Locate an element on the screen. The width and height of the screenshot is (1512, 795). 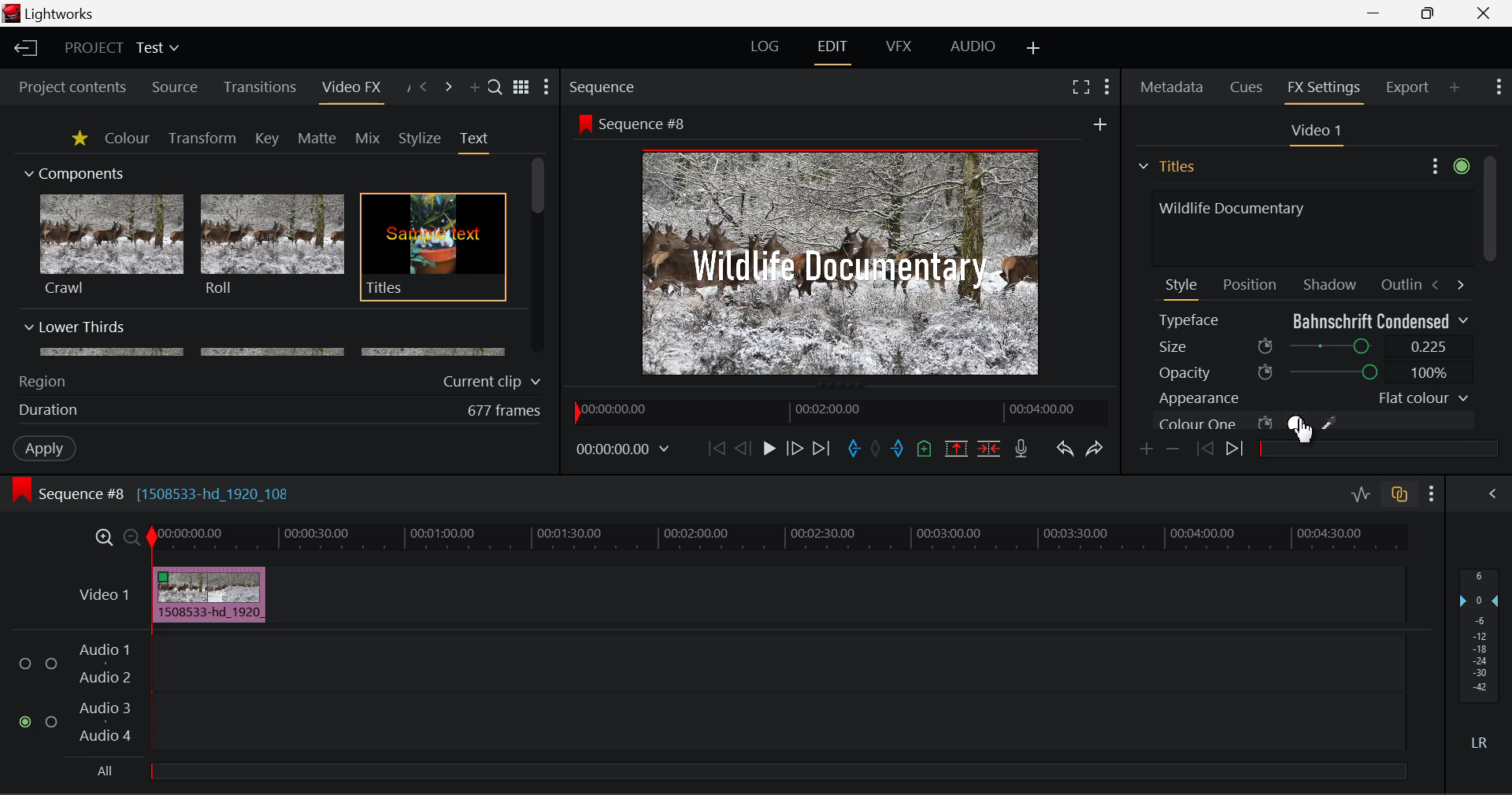
Shadow is located at coordinates (1331, 281).